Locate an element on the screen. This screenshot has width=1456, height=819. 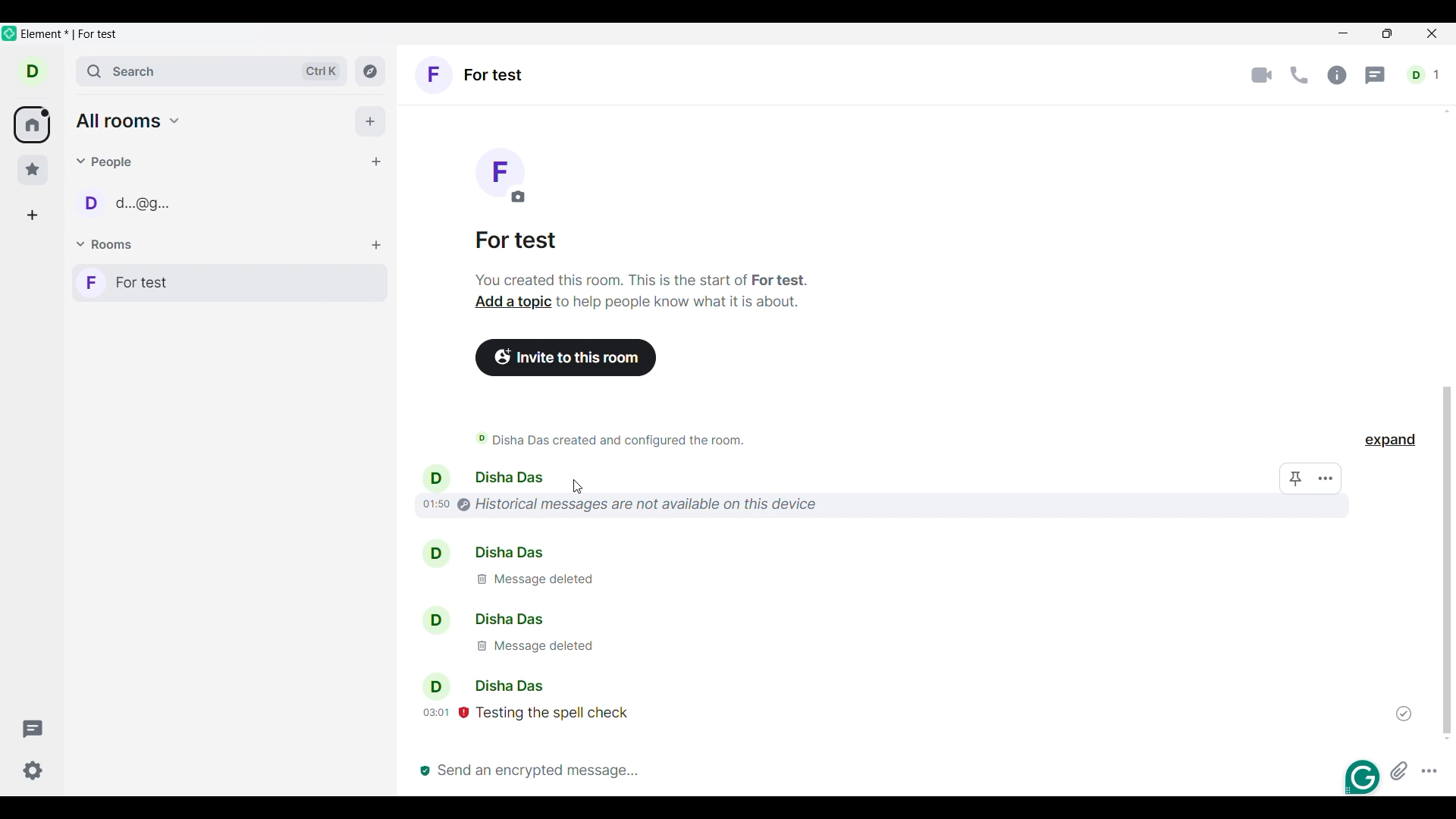
Start chat is located at coordinates (375, 162).